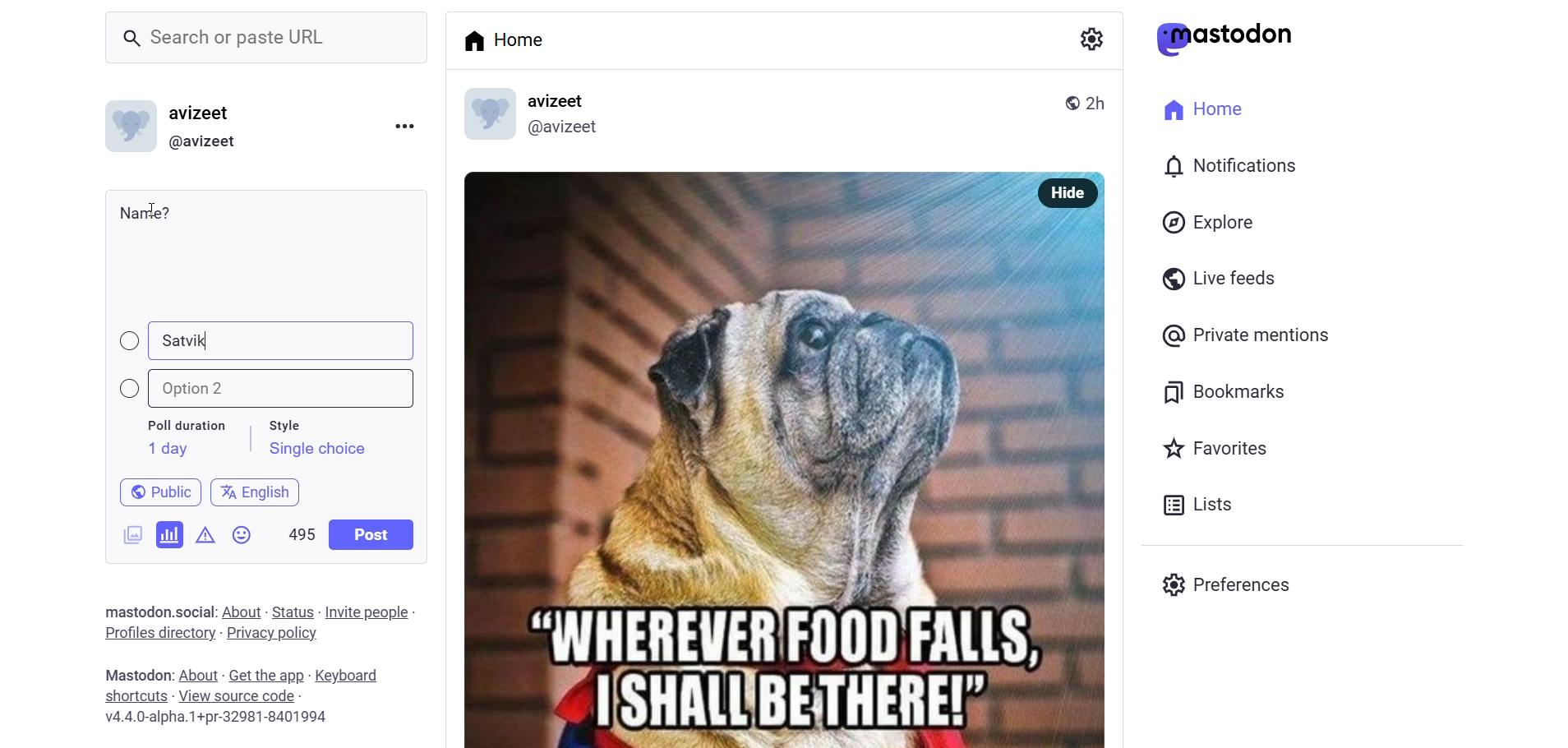 The image size is (1568, 748). I want to click on @avizeet, so click(562, 131).